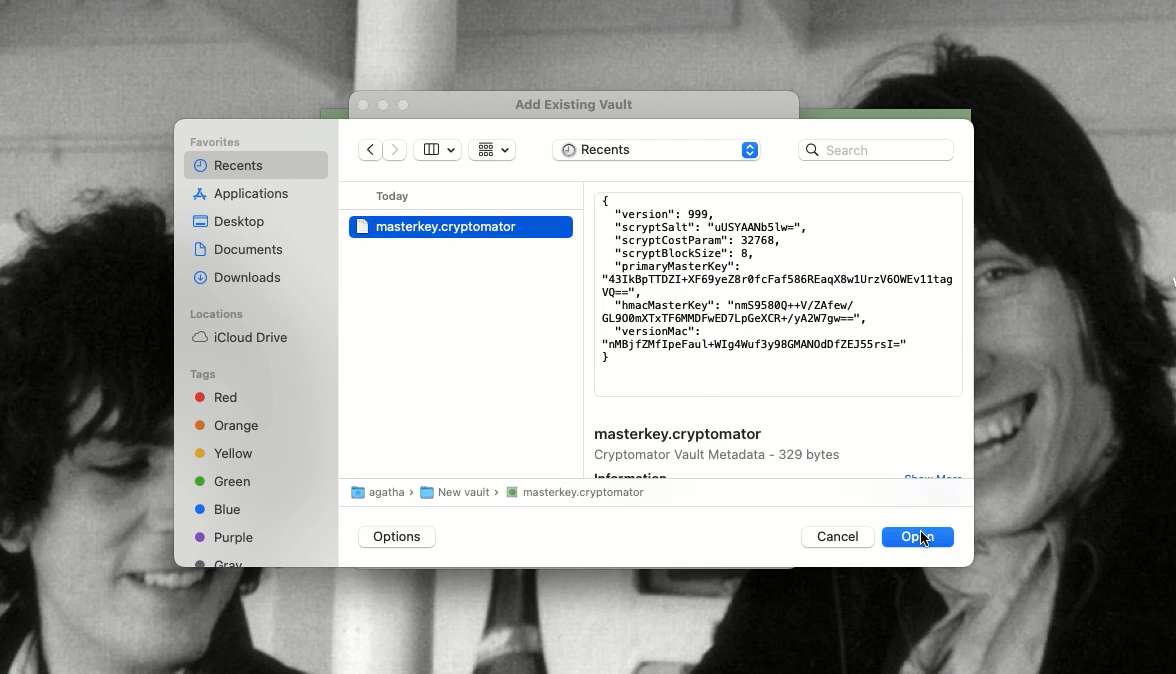 This screenshot has width=1176, height=674. I want to click on Purple, so click(225, 537).